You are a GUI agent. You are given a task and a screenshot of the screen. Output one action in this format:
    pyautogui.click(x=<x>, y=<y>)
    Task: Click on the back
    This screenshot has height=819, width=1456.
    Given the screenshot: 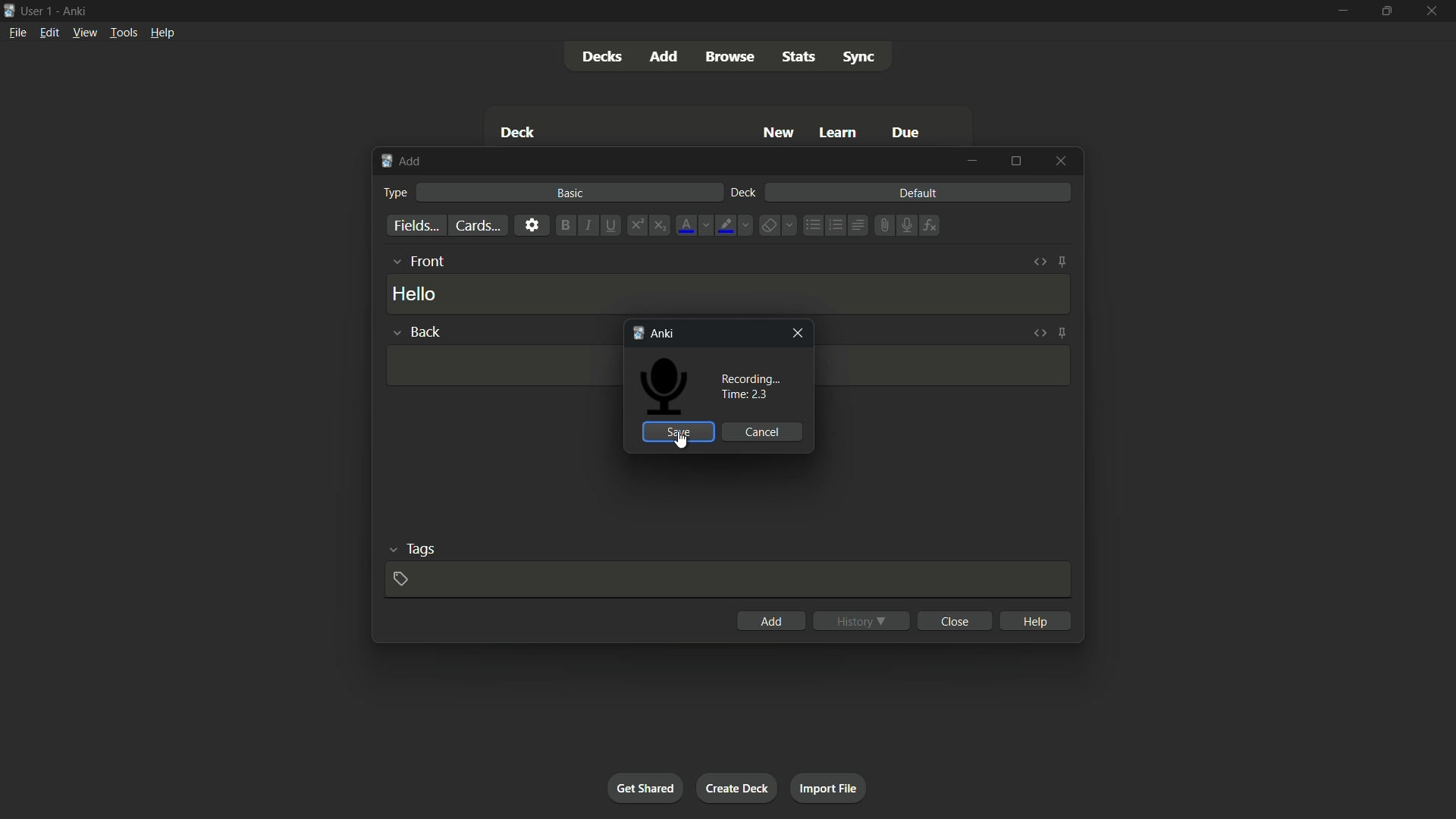 What is the action you would take?
    pyautogui.click(x=414, y=330)
    